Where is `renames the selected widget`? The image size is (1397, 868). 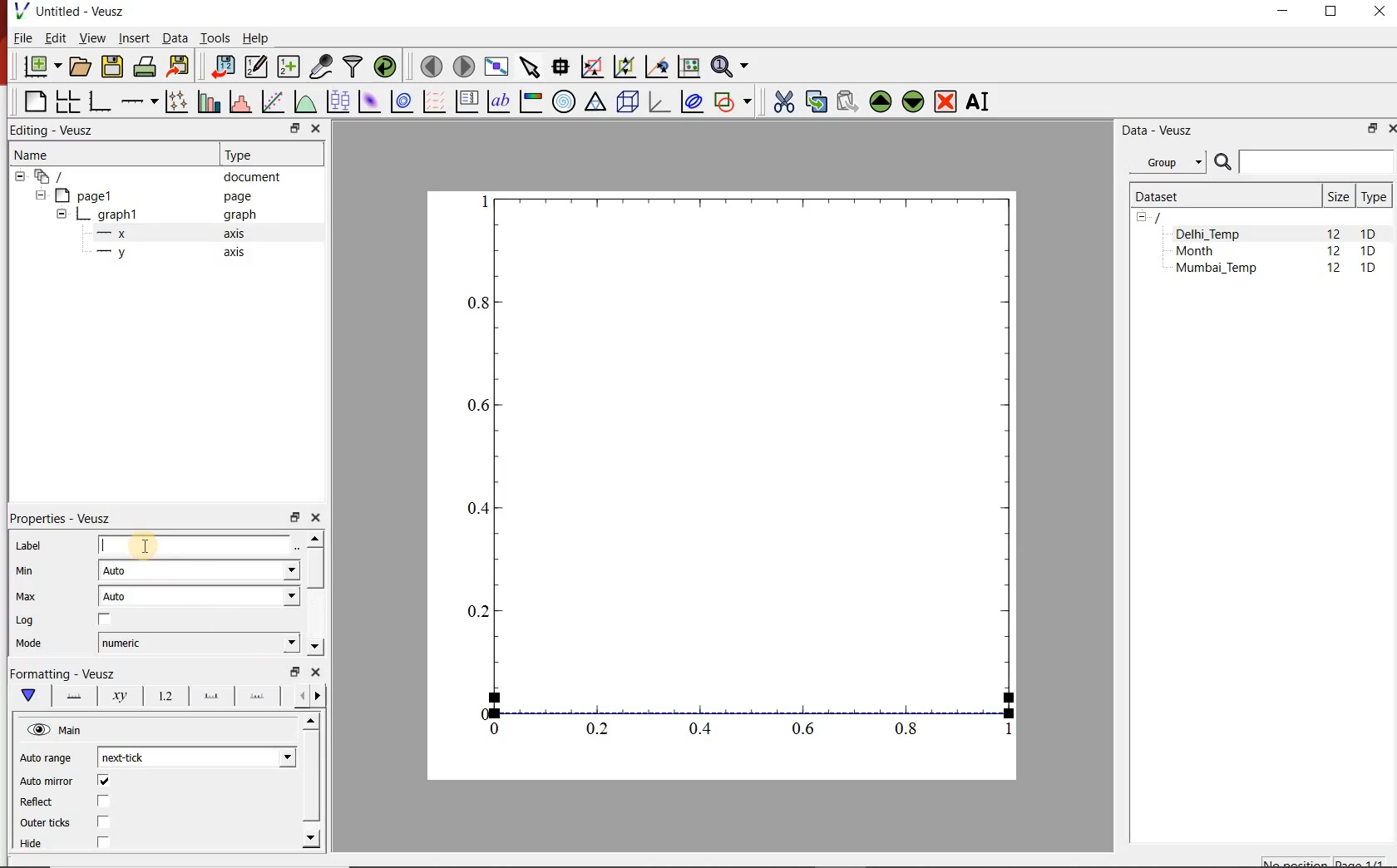 renames the selected widget is located at coordinates (979, 102).